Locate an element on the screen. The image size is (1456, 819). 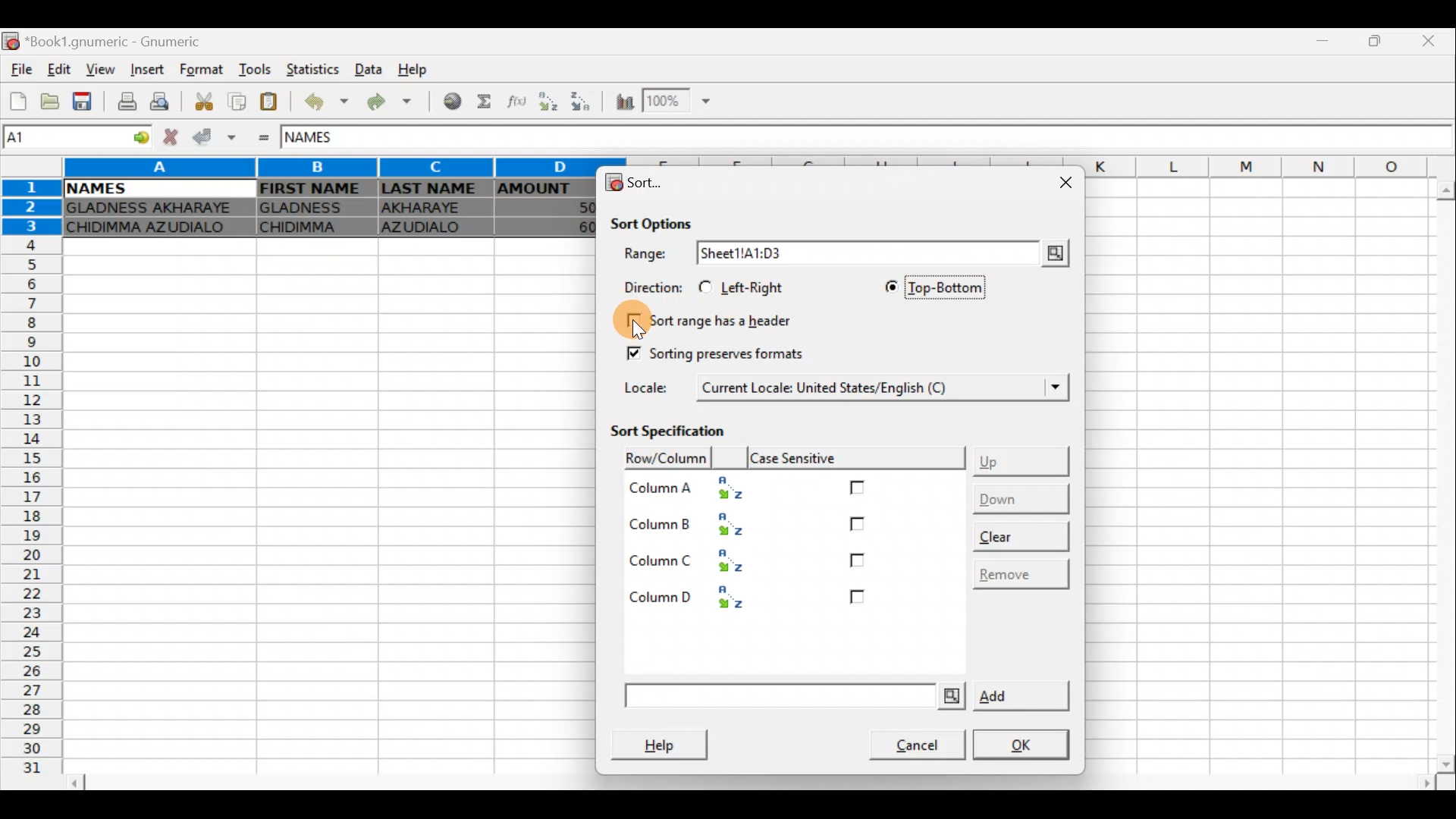
GLADNESS AKHARAYE is located at coordinates (154, 209).